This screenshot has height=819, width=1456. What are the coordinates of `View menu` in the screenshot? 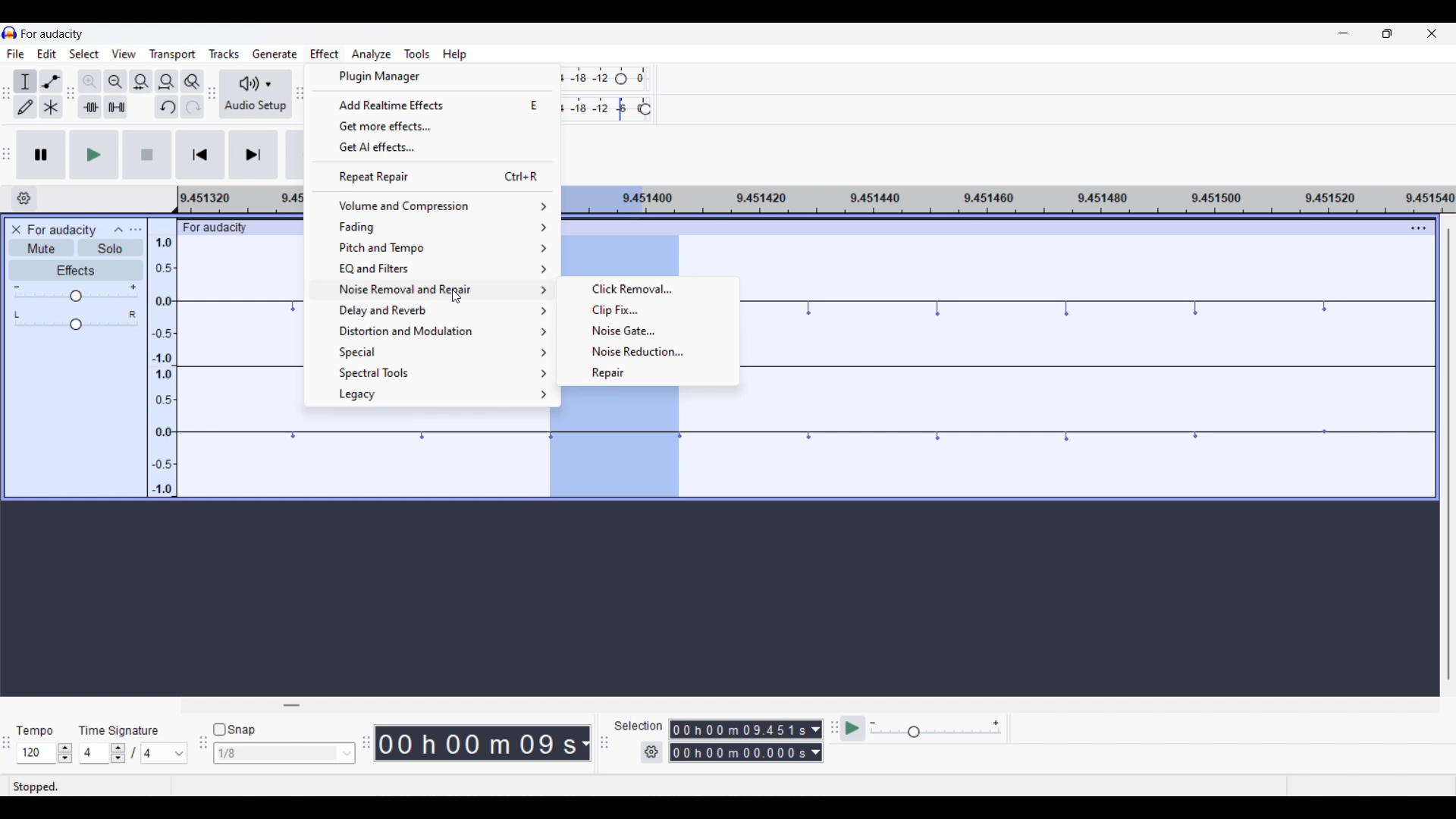 It's located at (124, 53).